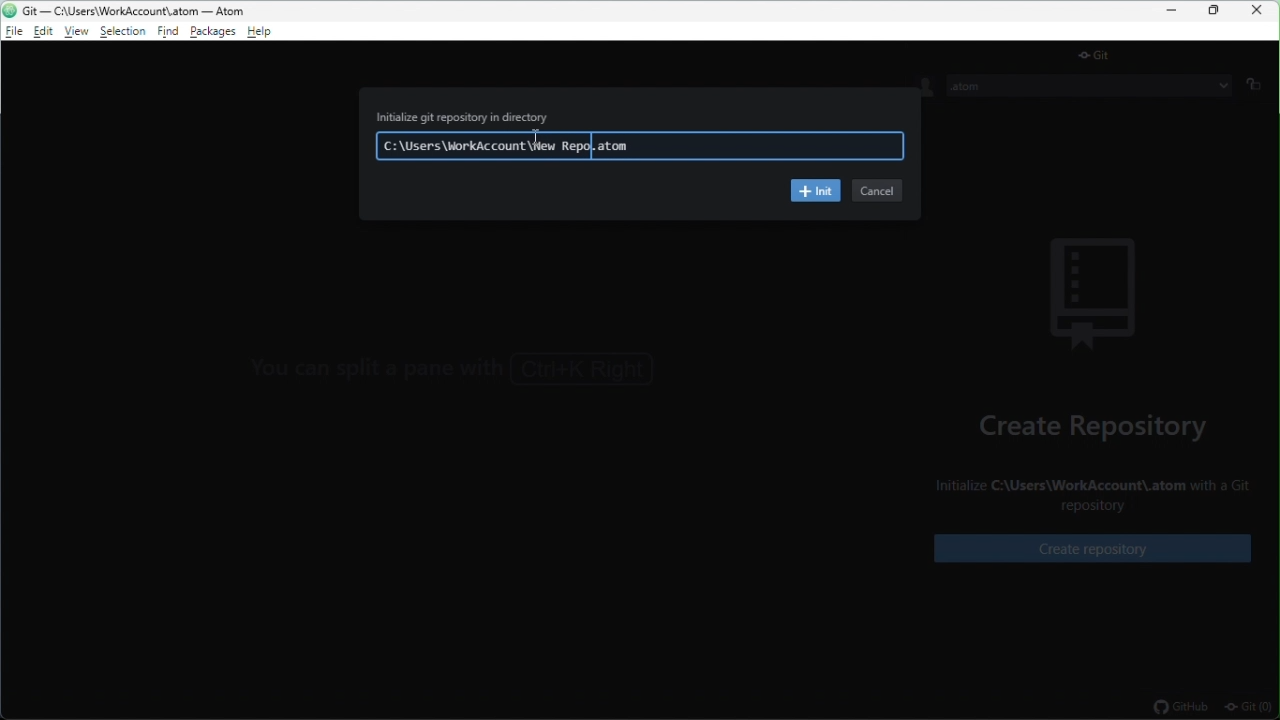 The width and height of the screenshot is (1280, 720). Describe the element at coordinates (1260, 11) in the screenshot. I see `close` at that location.